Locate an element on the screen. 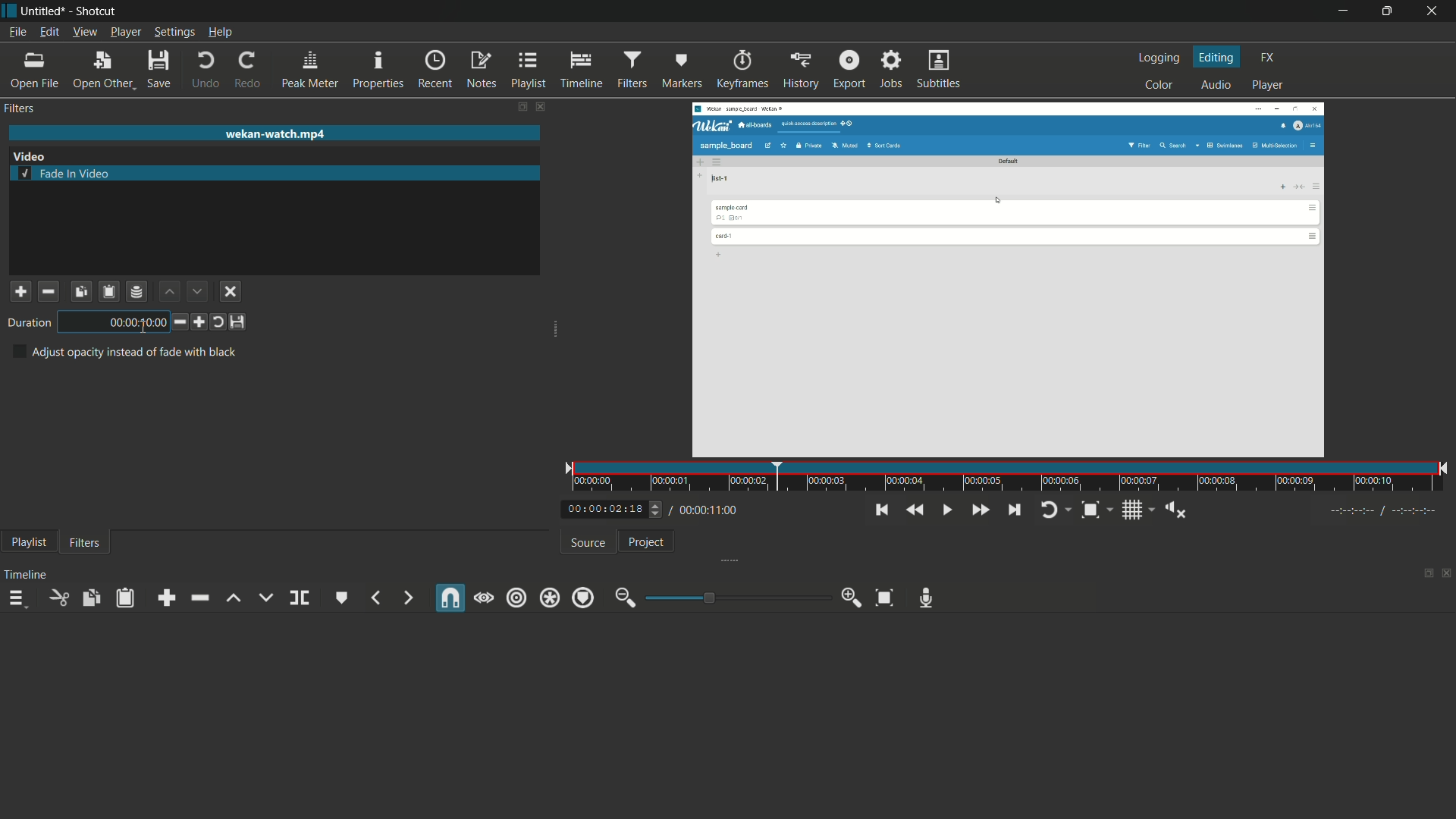 This screenshot has width=1456, height=819. paste filter is located at coordinates (110, 291).